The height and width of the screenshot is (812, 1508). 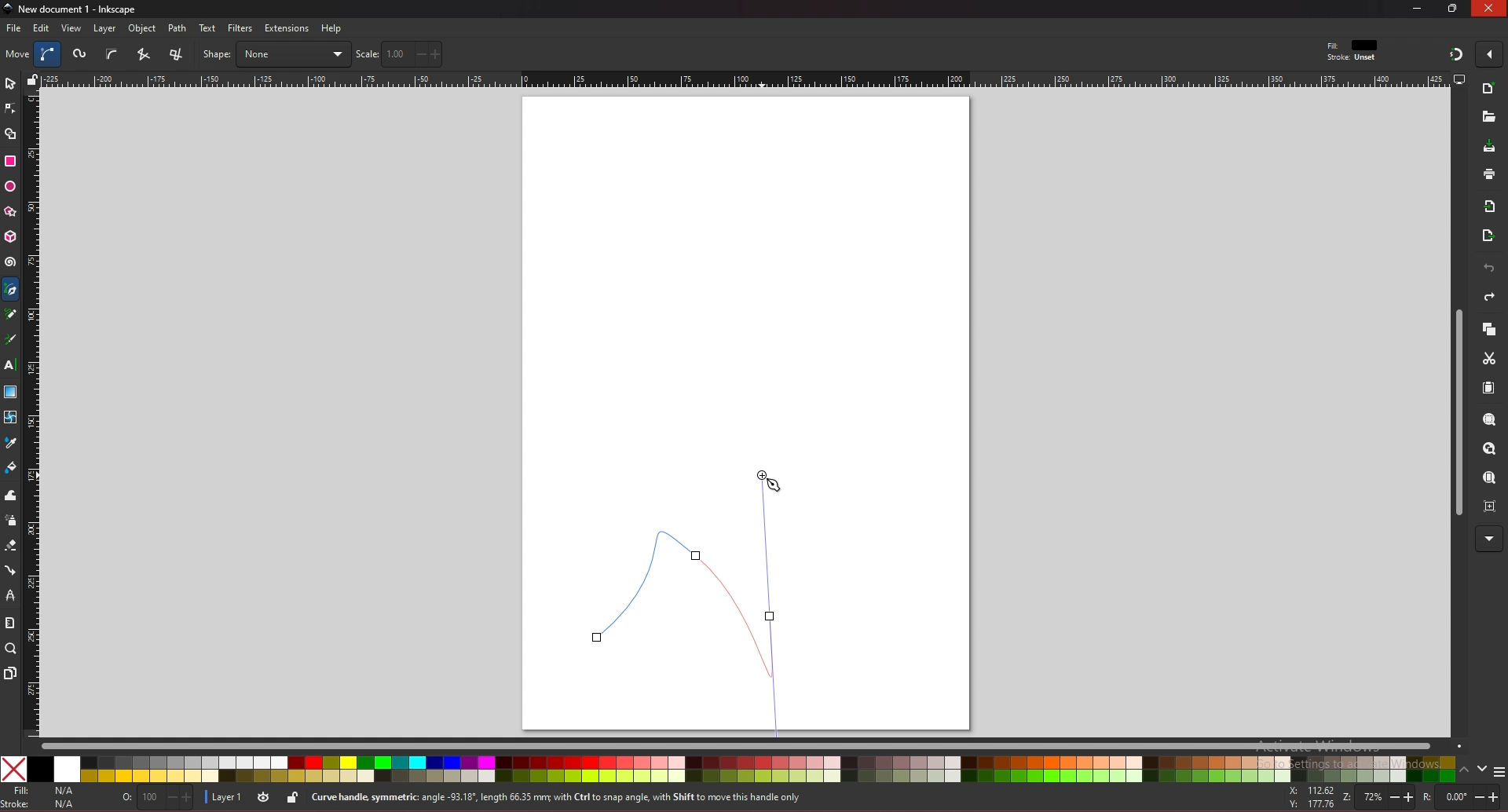 What do you see at coordinates (1493, 207) in the screenshot?
I see `import` at bounding box center [1493, 207].